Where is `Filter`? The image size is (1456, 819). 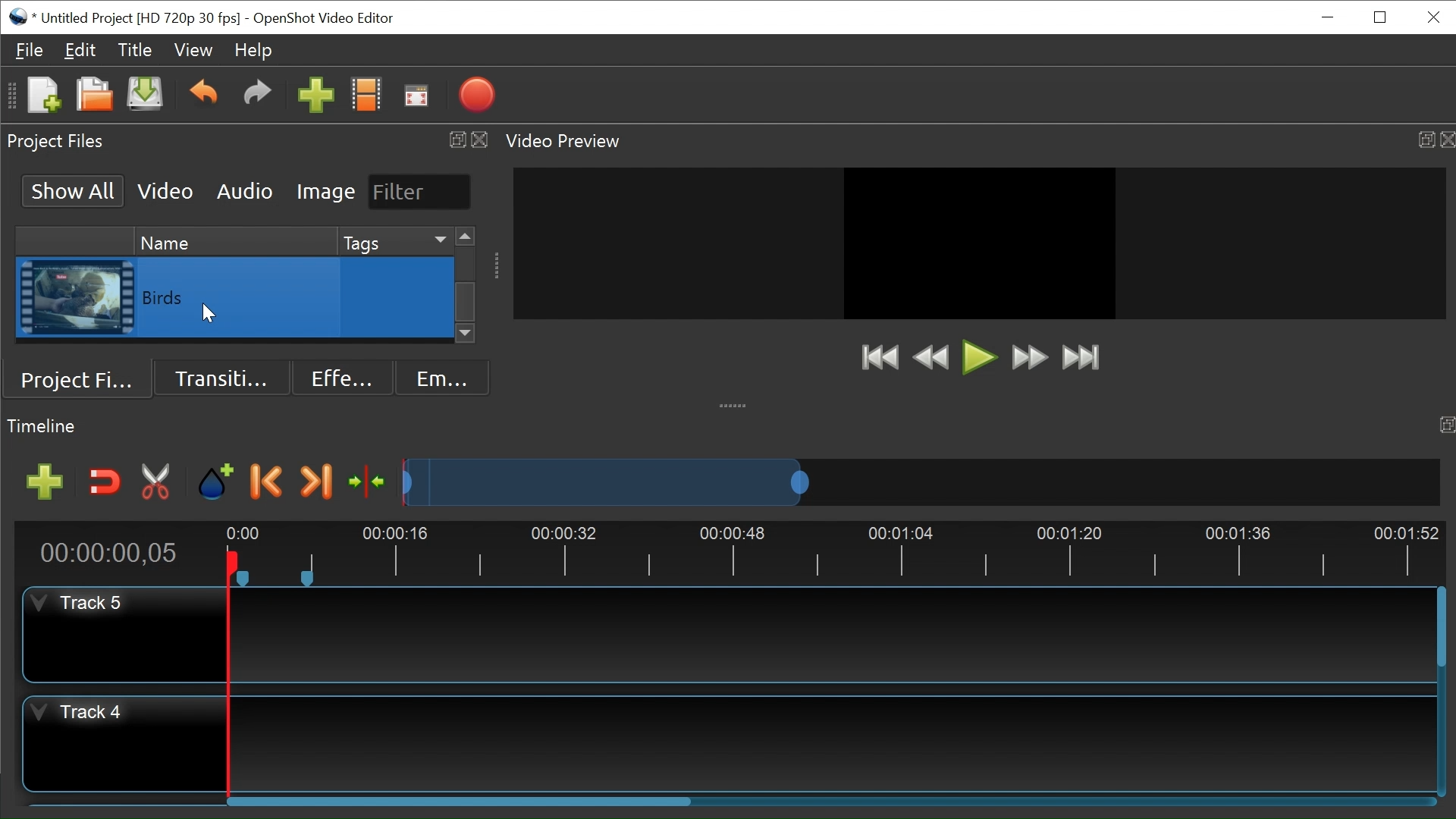
Filter is located at coordinates (418, 191).